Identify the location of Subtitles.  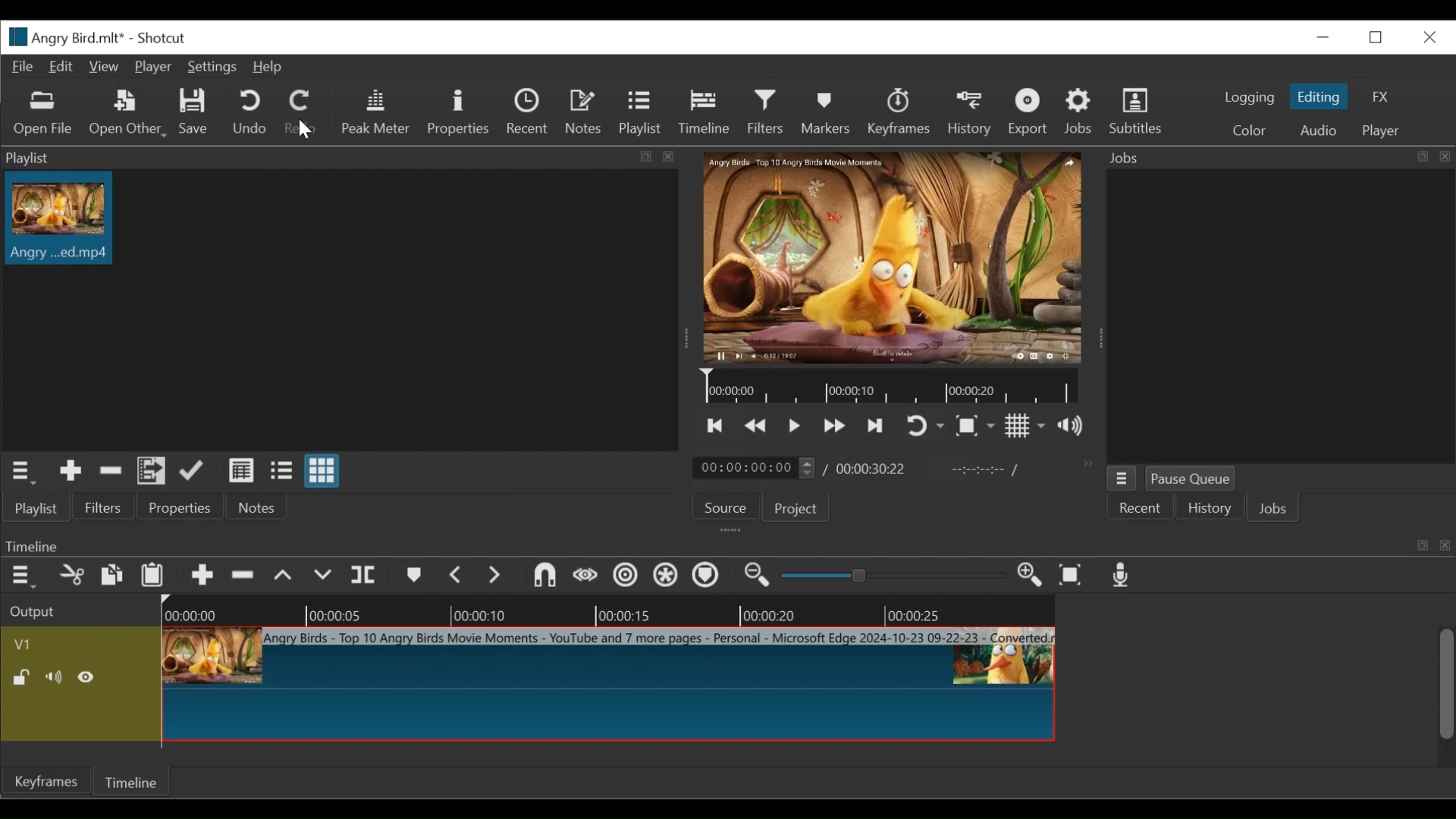
(1138, 109).